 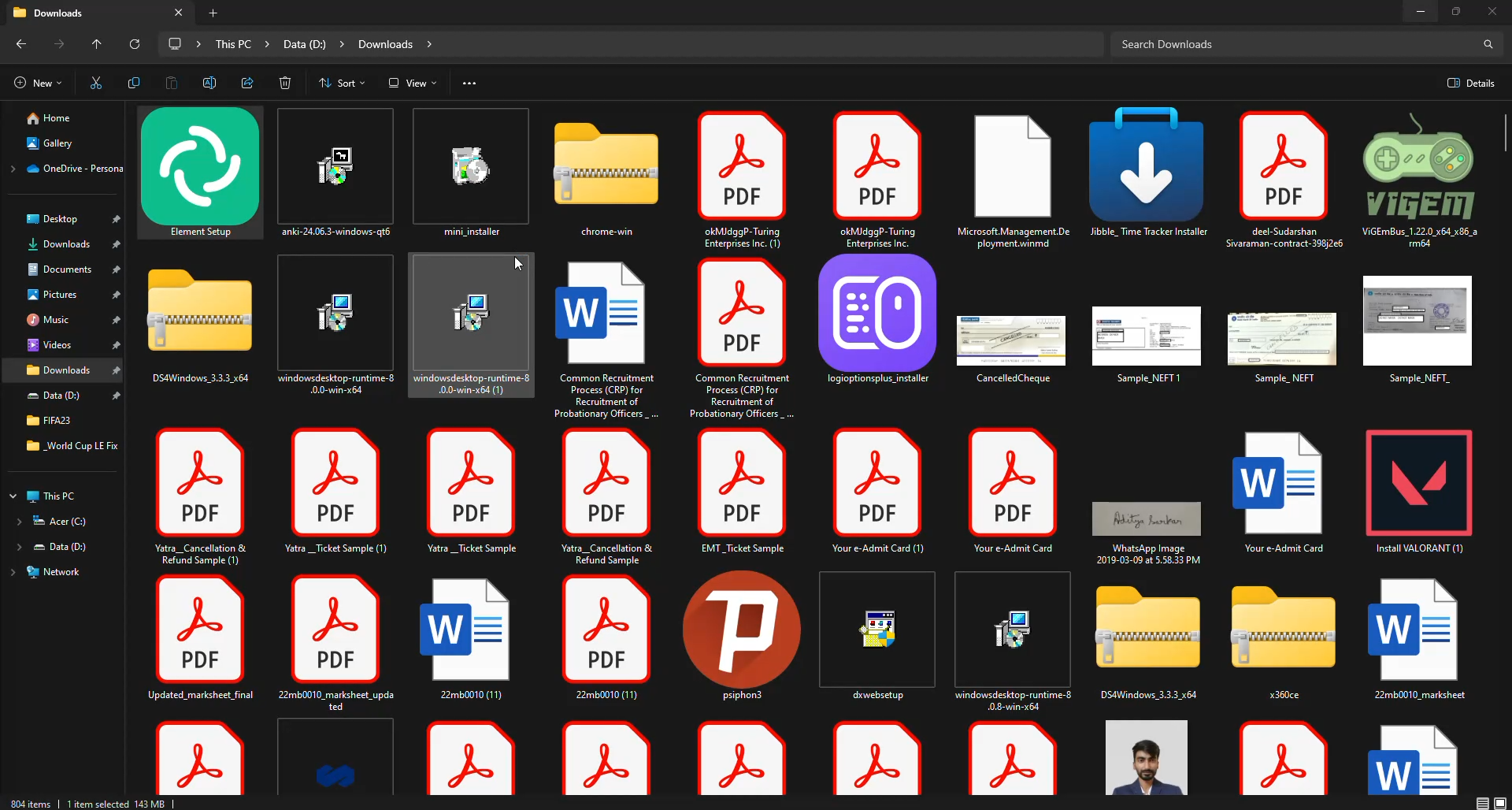 What do you see at coordinates (208, 496) in the screenshot?
I see `file` at bounding box center [208, 496].